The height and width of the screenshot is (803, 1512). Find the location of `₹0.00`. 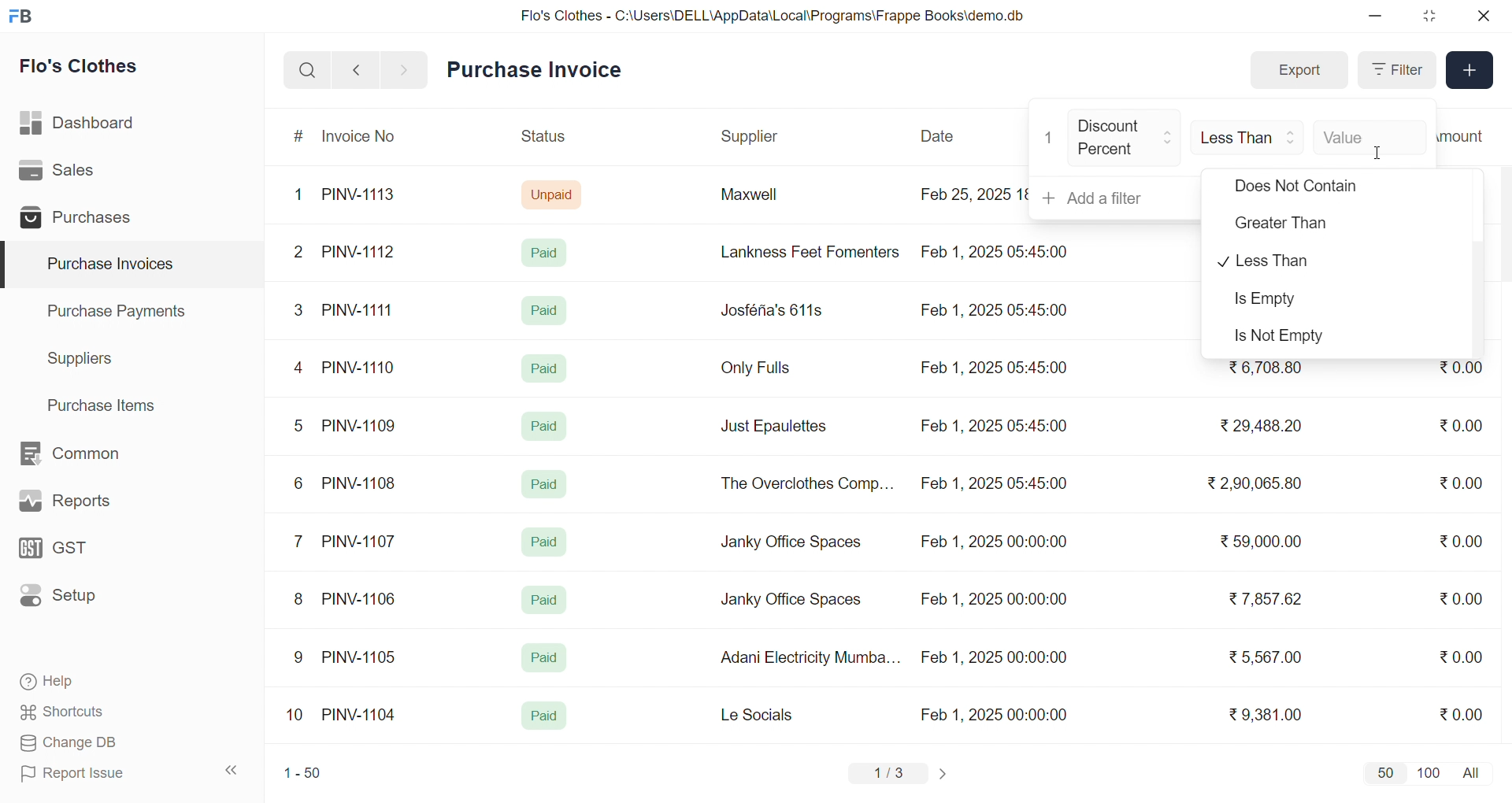

₹0.00 is located at coordinates (1460, 485).